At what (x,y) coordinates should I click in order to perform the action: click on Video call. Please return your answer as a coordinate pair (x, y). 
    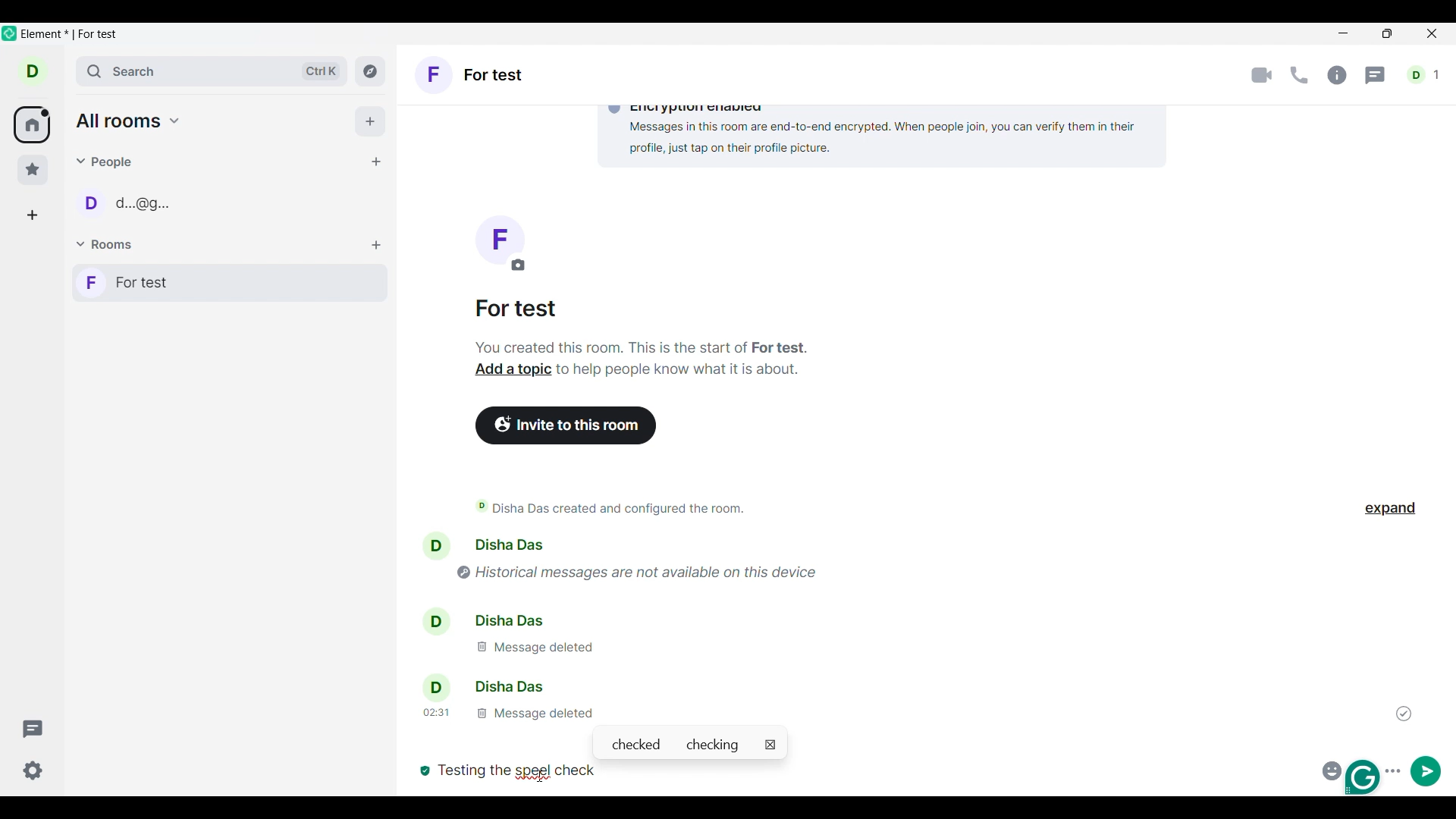
    Looking at the image, I should click on (1262, 76).